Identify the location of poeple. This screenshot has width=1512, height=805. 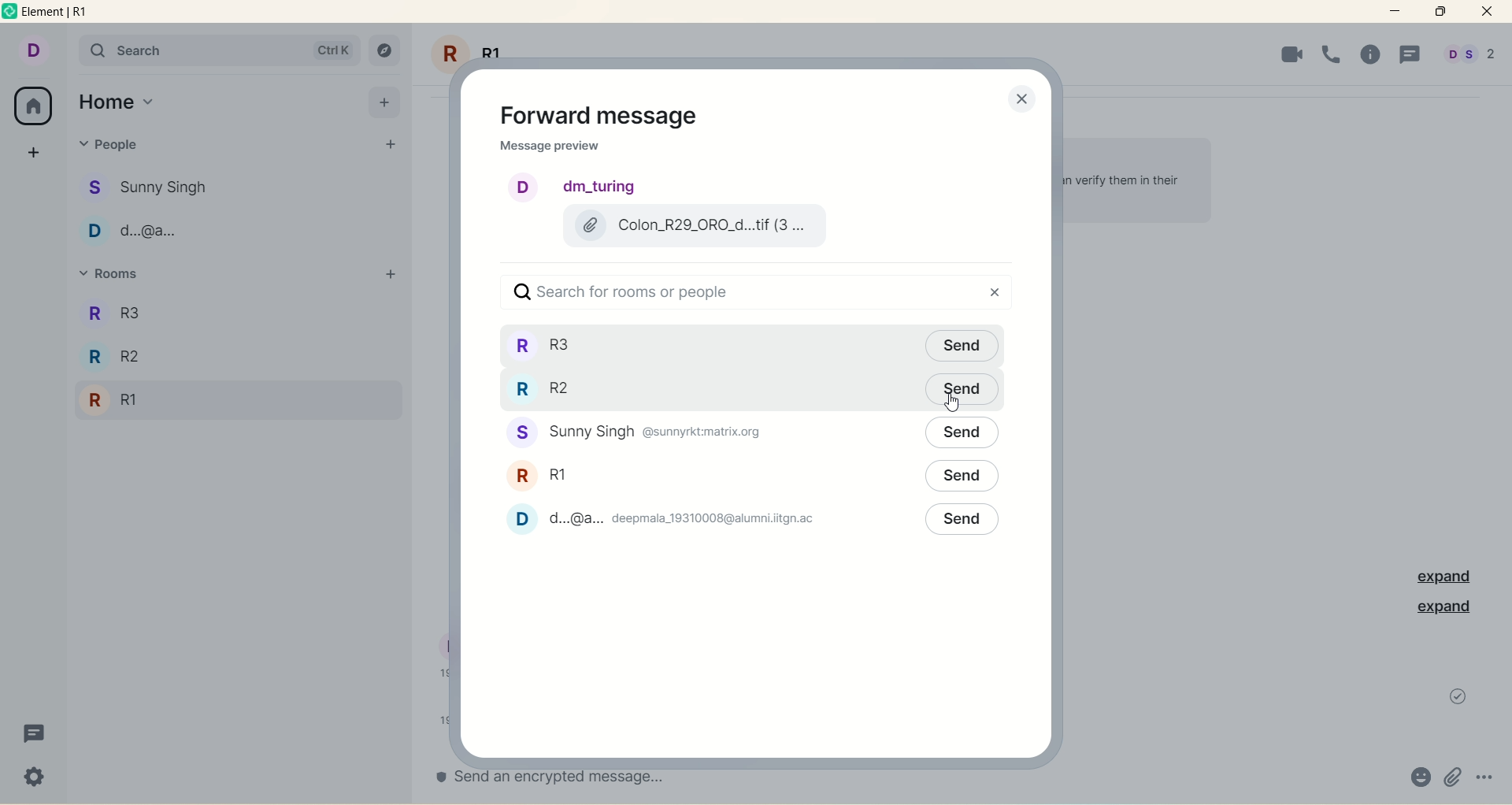
(146, 234).